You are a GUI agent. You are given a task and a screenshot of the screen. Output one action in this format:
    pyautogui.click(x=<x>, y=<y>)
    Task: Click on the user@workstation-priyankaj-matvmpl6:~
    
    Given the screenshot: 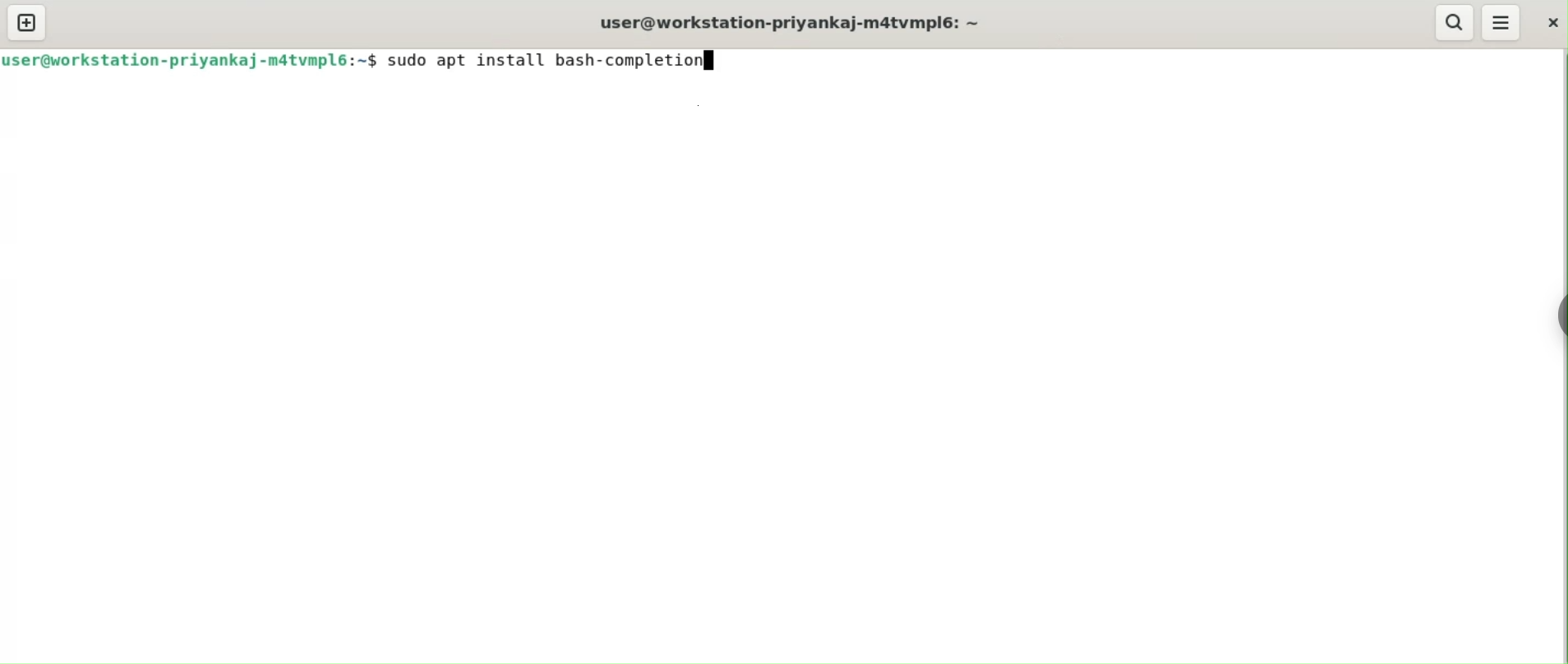 What is the action you would take?
    pyautogui.click(x=180, y=59)
    